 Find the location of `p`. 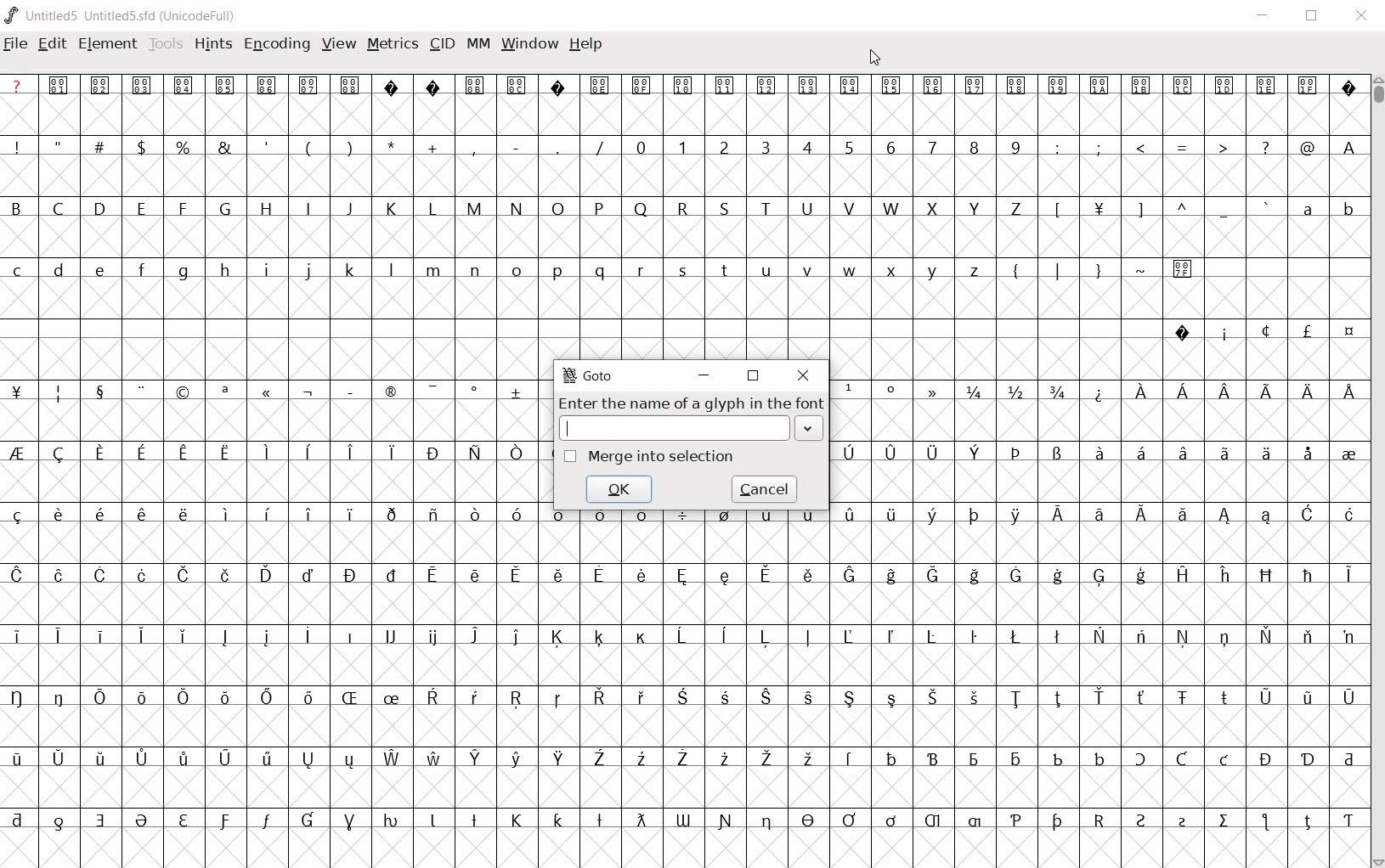

p is located at coordinates (557, 272).